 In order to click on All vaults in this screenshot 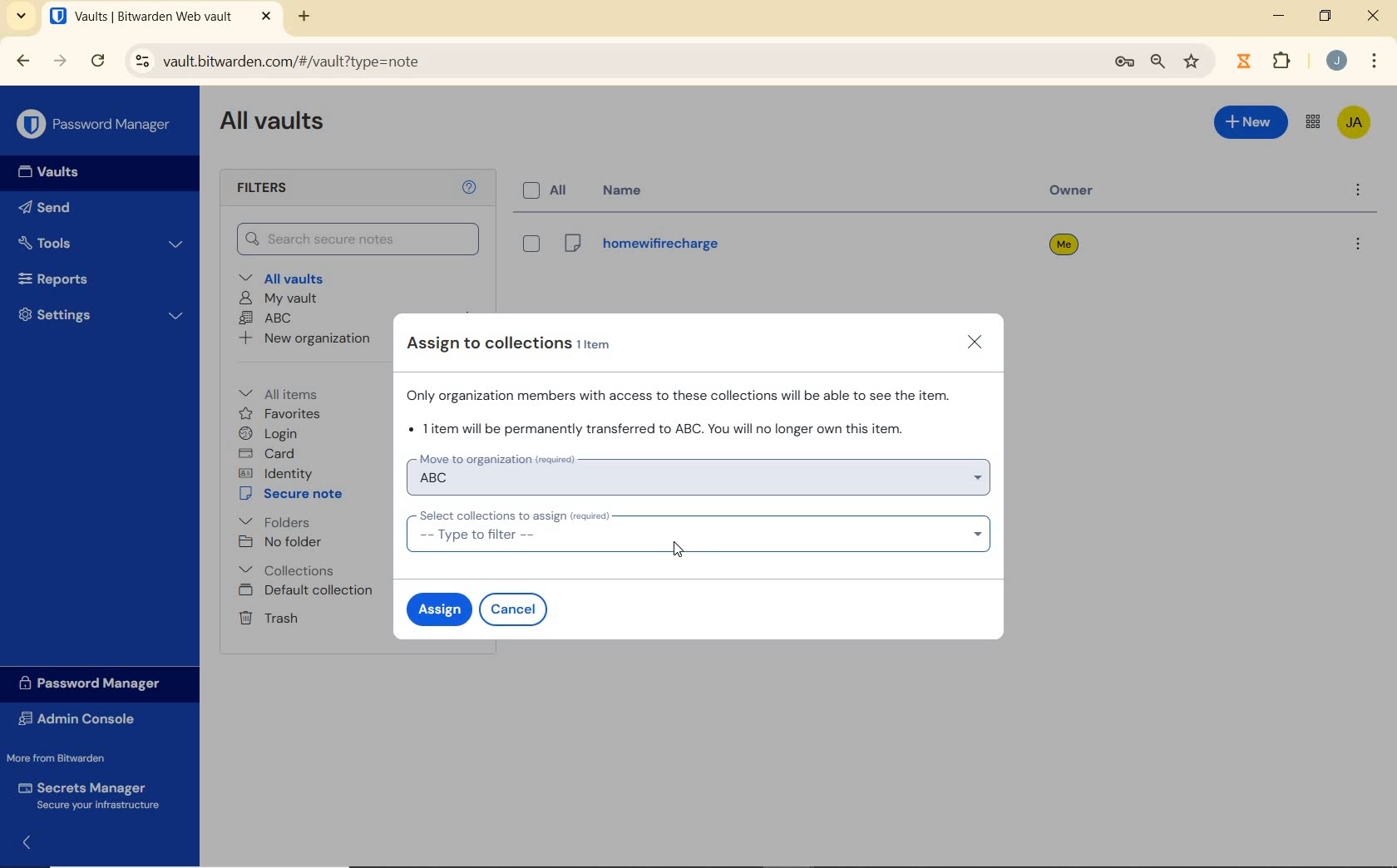, I will do `click(284, 277)`.